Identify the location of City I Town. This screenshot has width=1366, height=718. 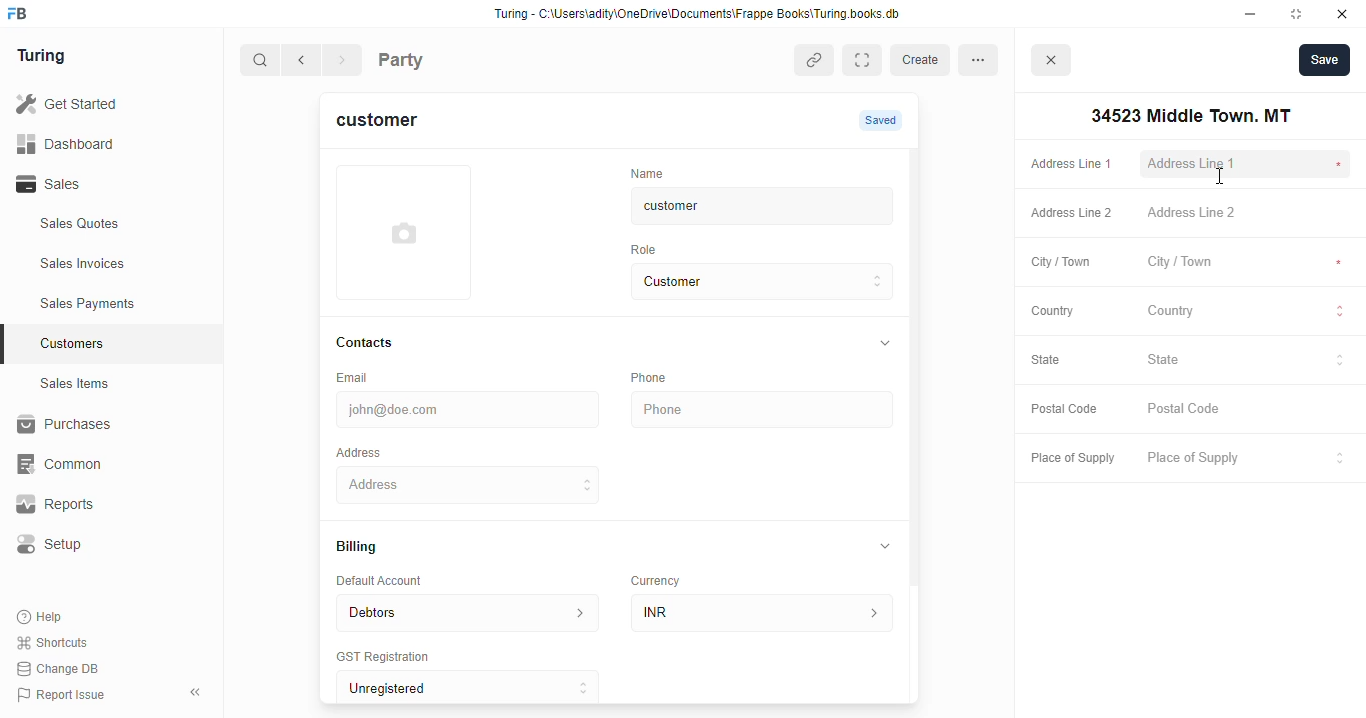
(1246, 263).